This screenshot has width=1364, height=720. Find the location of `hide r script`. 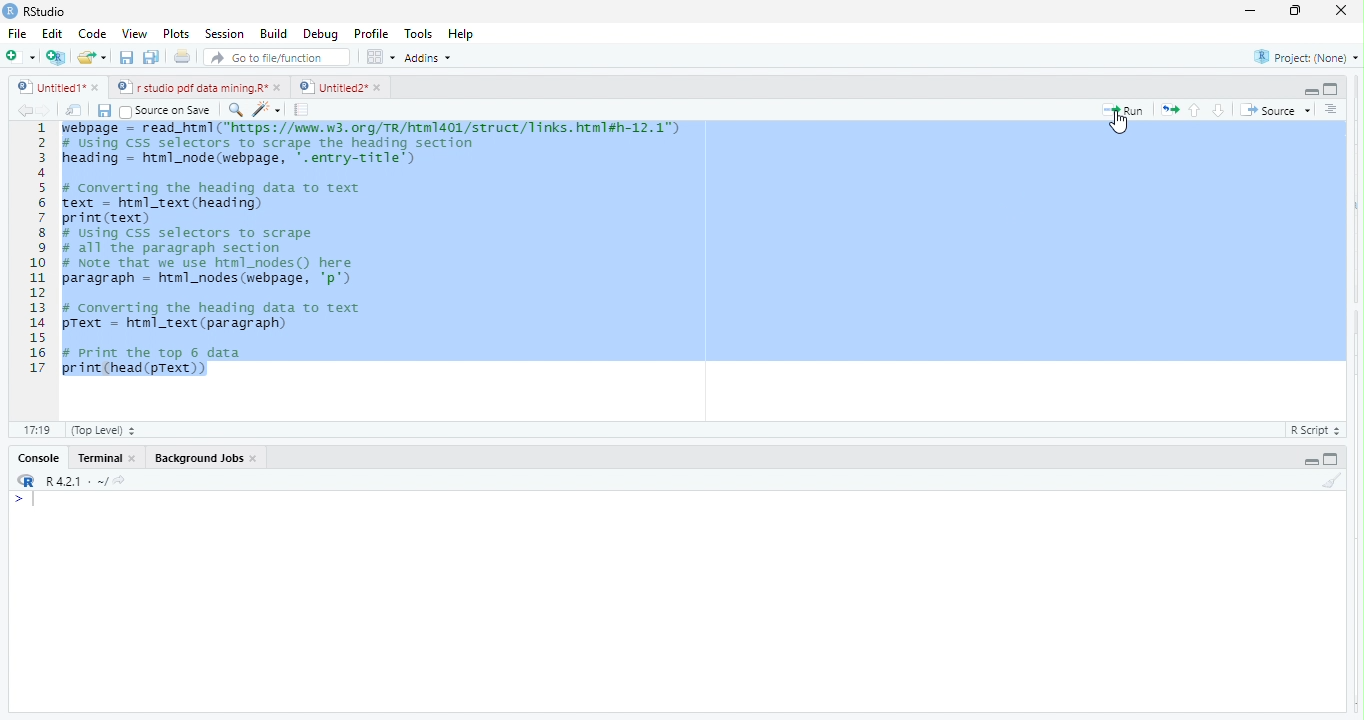

hide r script is located at coordinates (1309, 89).